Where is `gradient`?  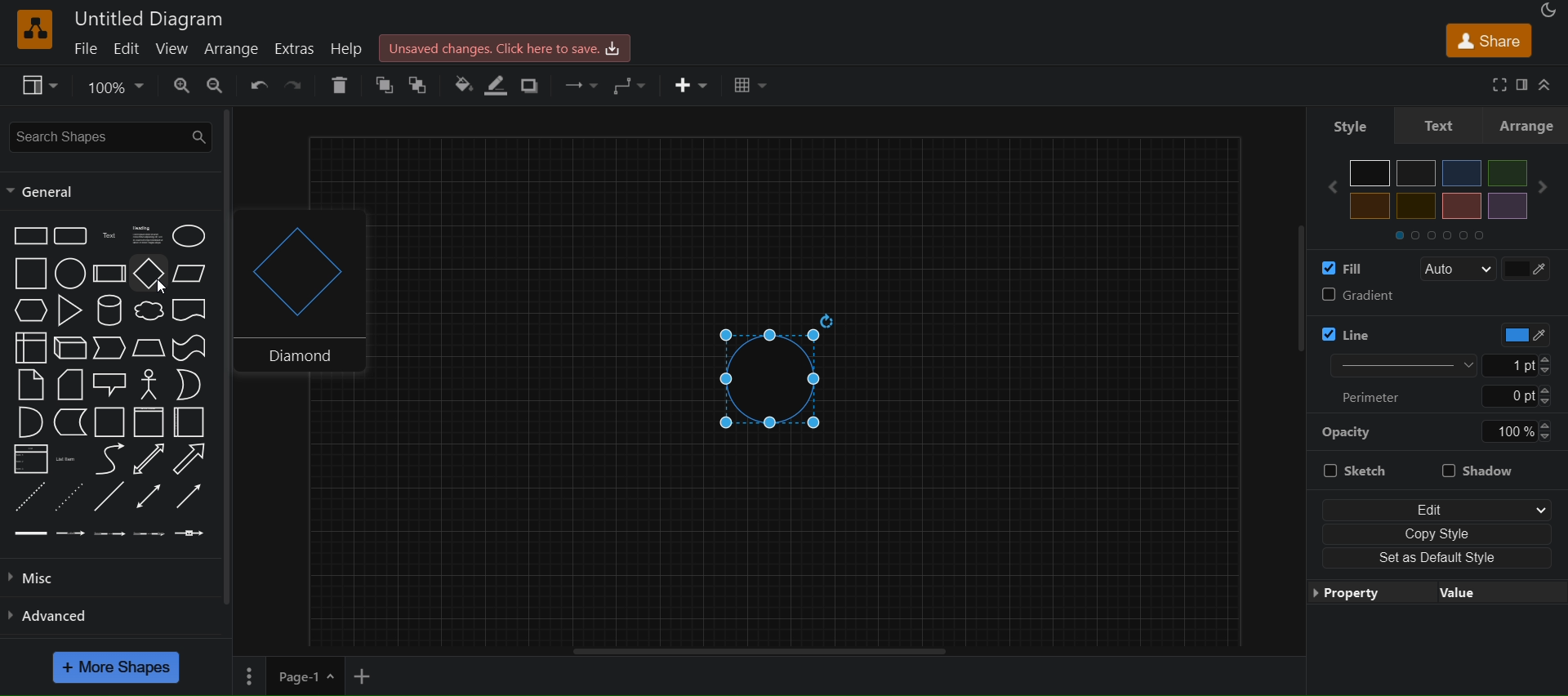 gradient is located at coordinates (1435, 296).